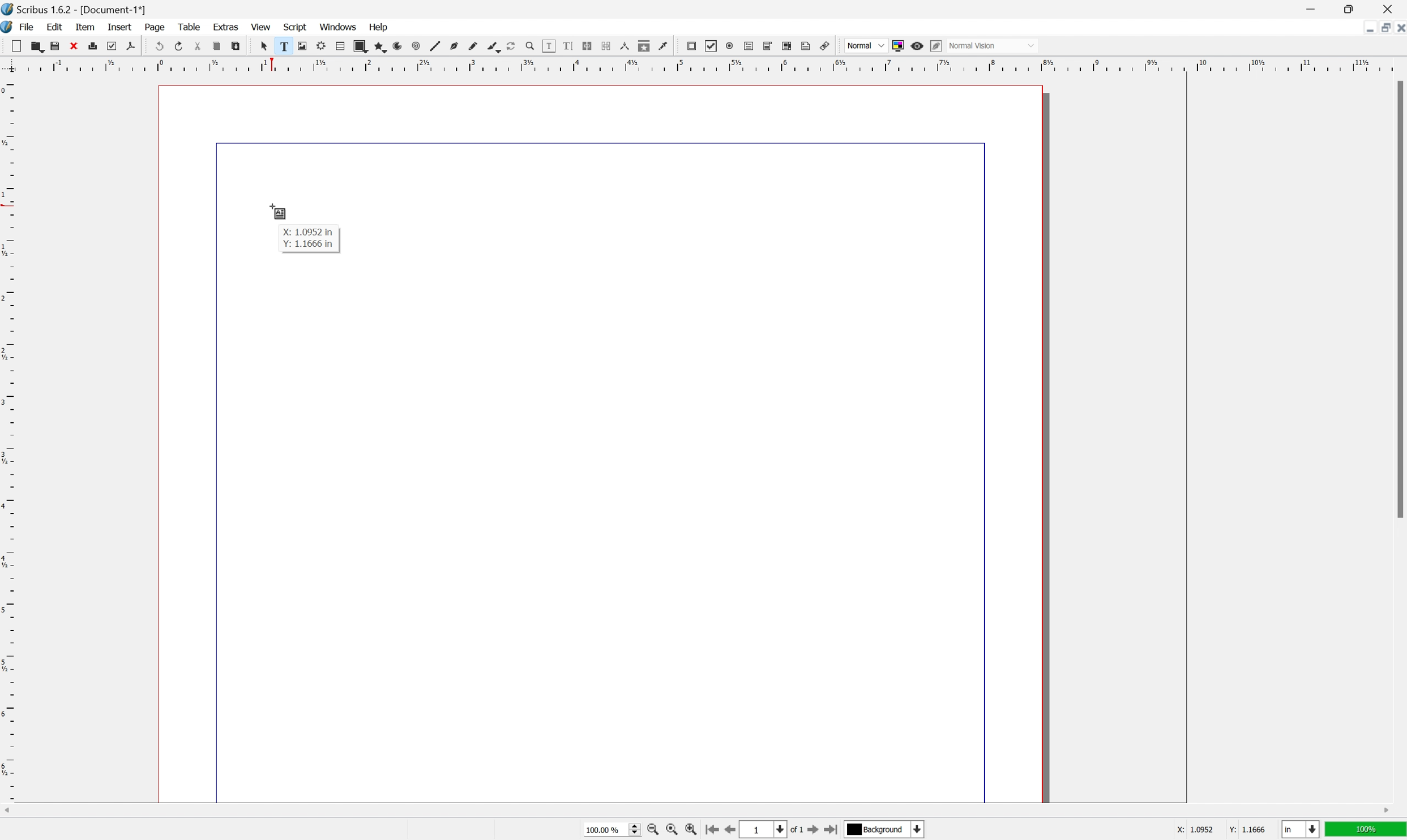  I want to click on go to next, so click(819, 832).